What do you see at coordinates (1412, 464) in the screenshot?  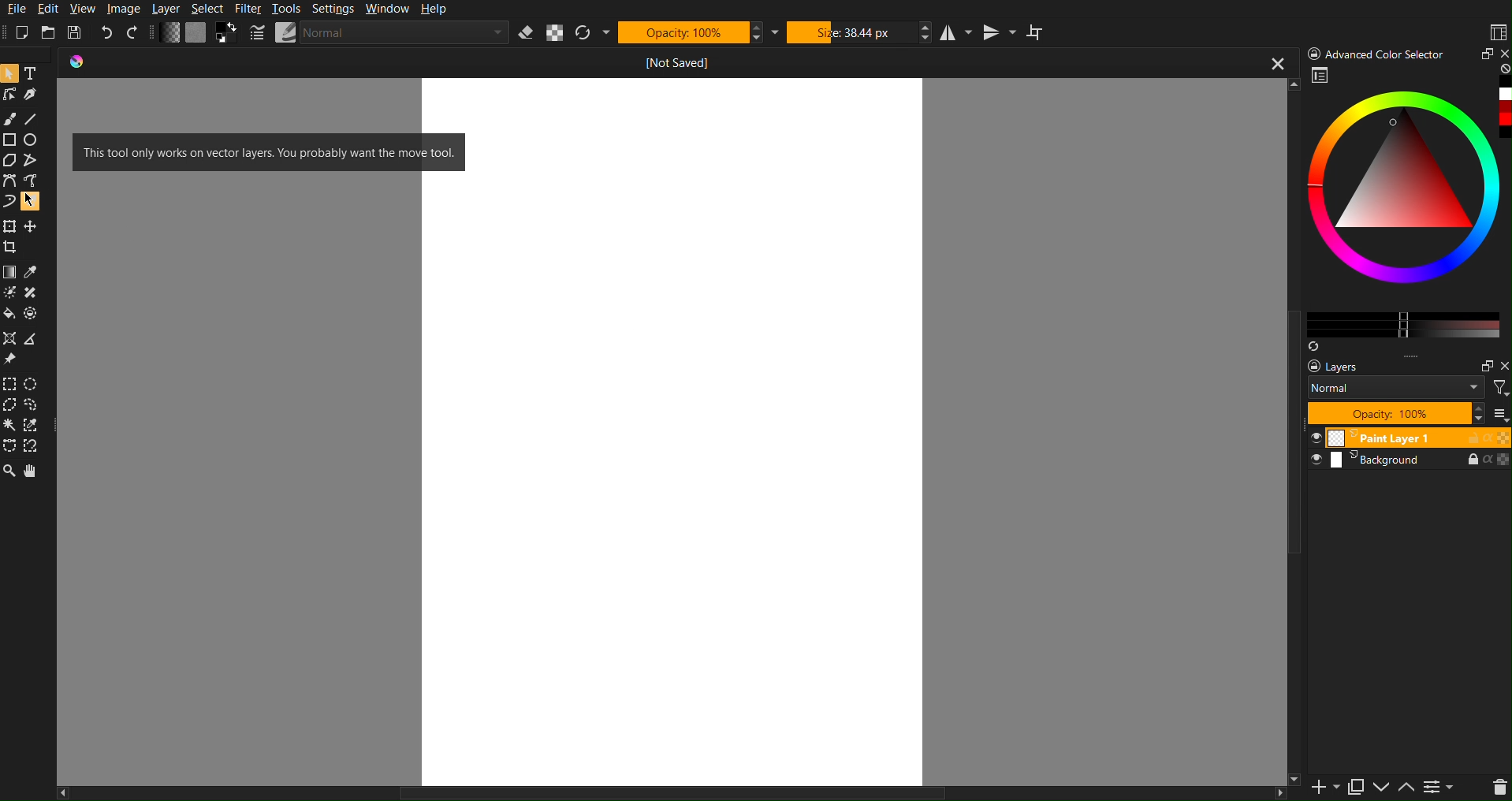 I see `background` at bounding box center [1412, 464].